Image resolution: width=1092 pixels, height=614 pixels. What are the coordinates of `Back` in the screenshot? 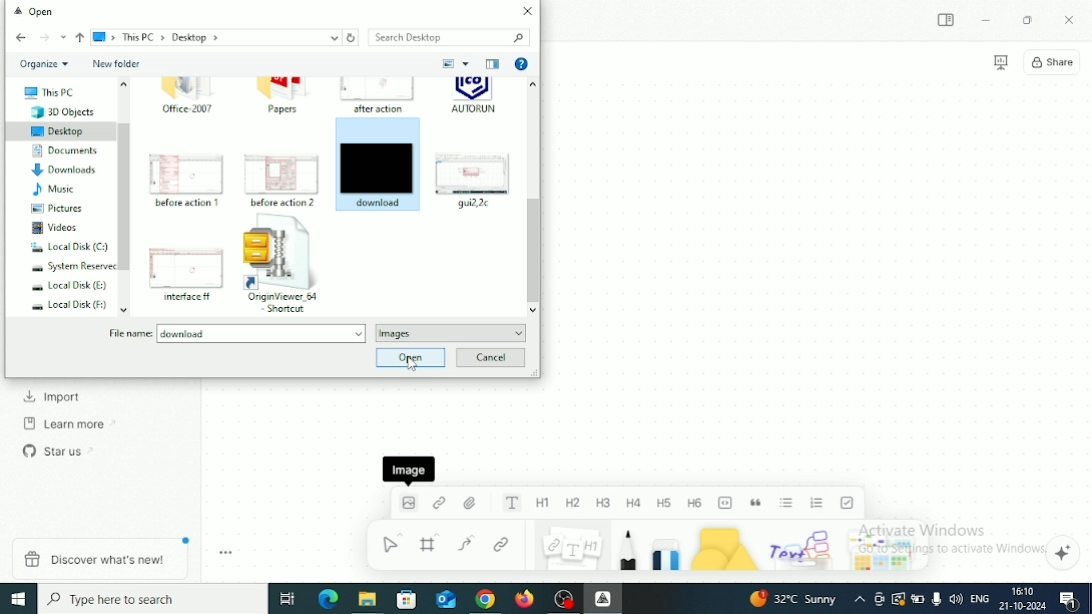 It's located at (21, 39).